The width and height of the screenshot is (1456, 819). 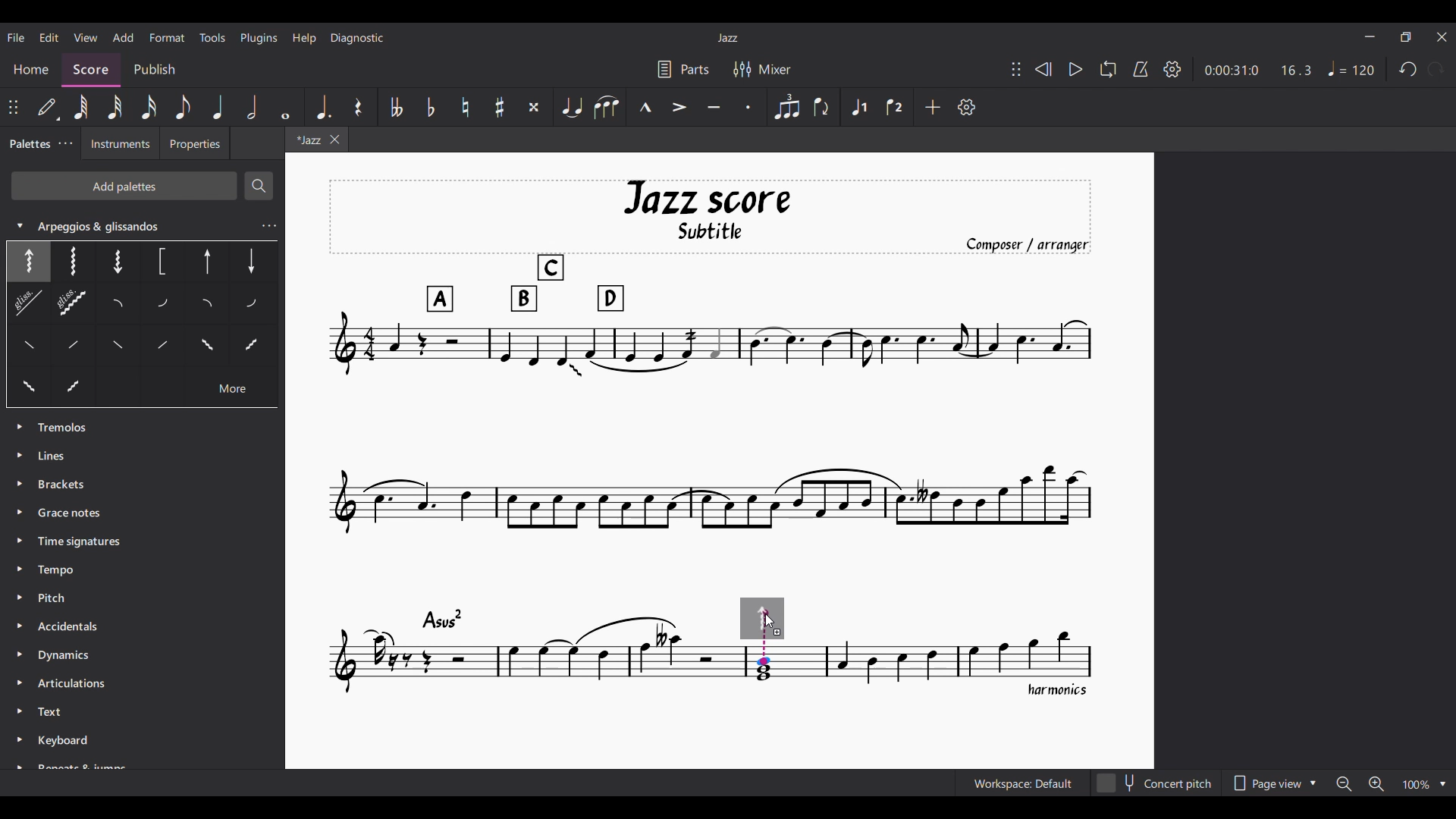 I want to click on 8th note, so click(x=183, y=107).